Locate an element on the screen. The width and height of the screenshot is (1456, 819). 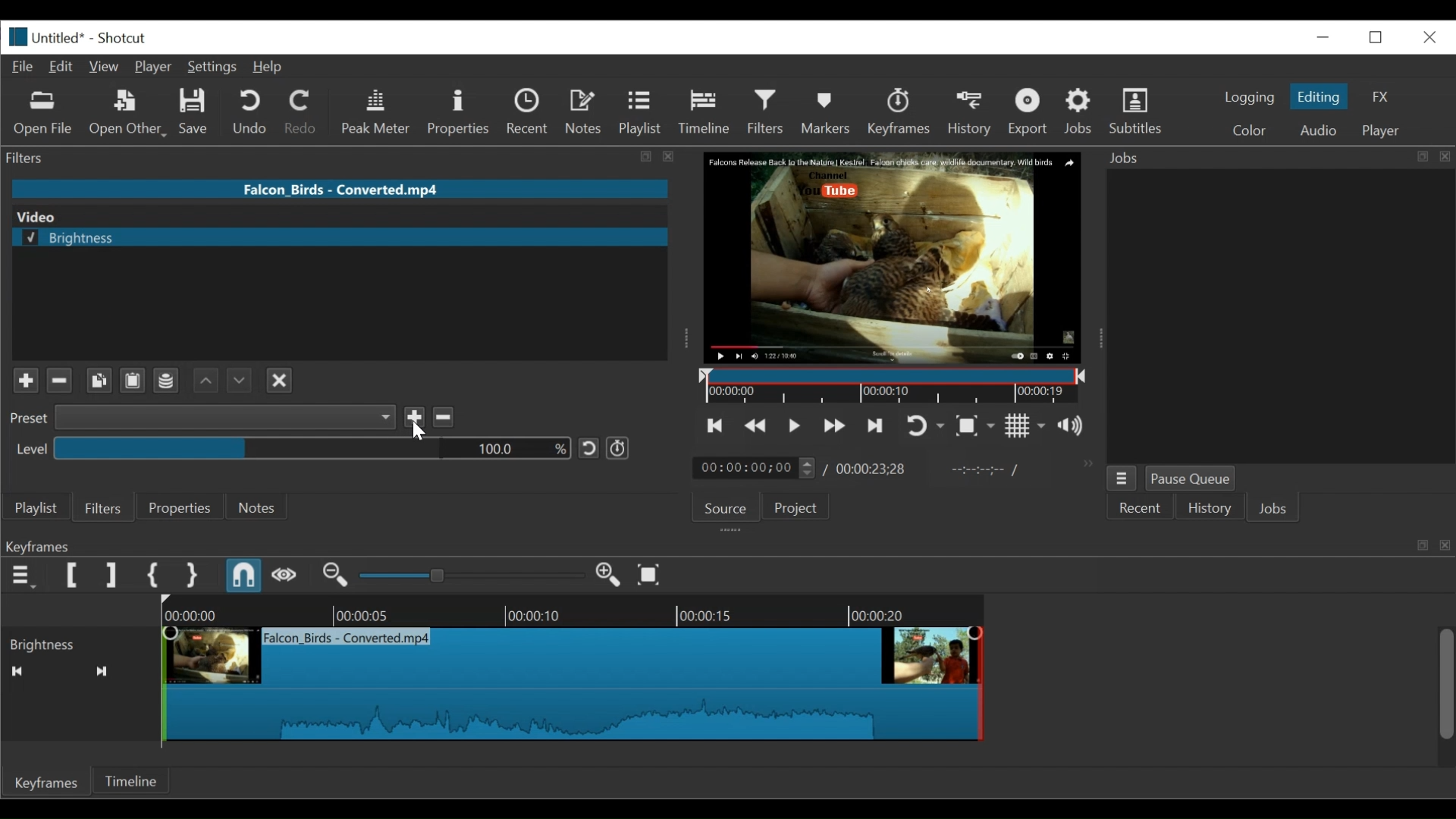
Recent is located at coordinates (529, 112).